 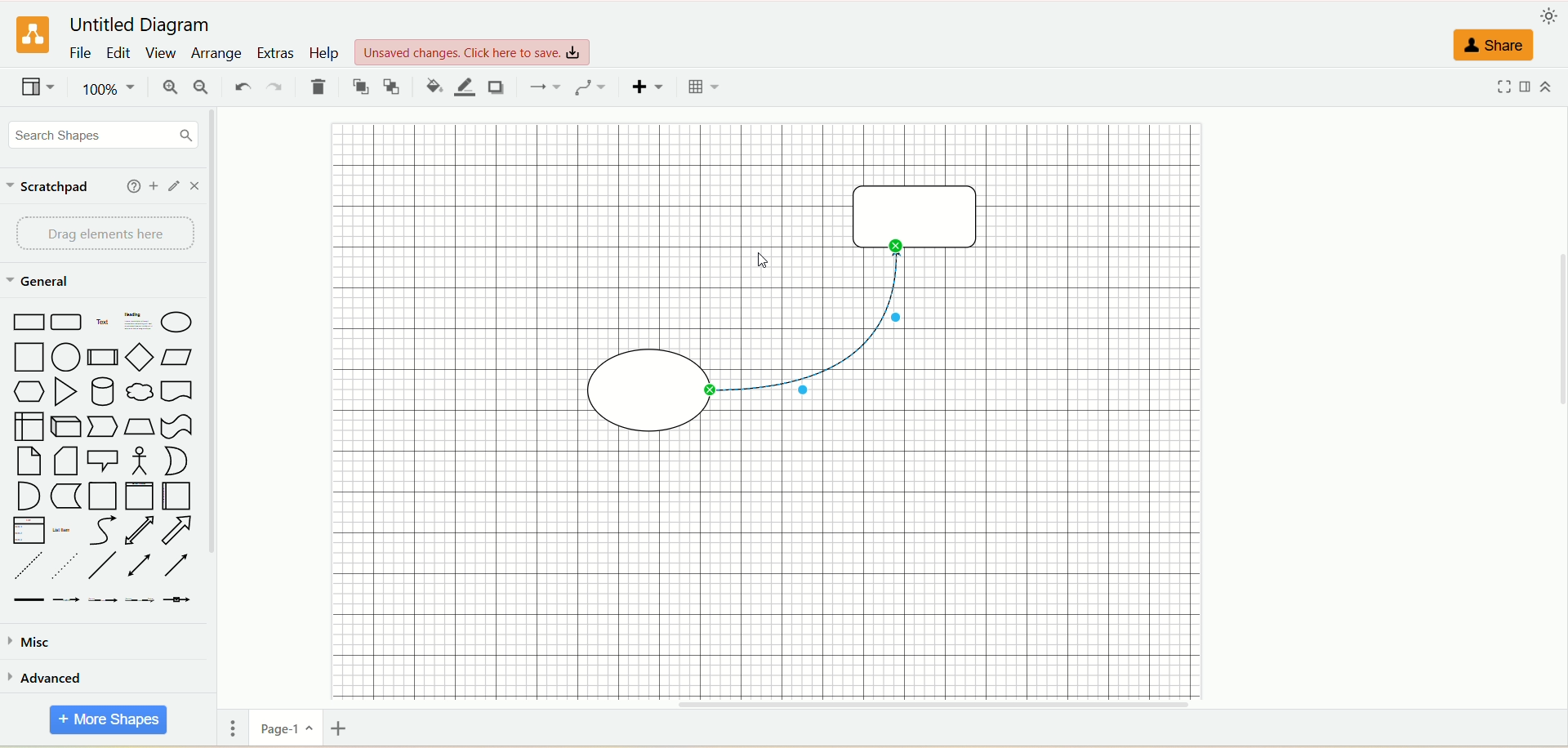 I want to click on general, so click(x=40, y=283).